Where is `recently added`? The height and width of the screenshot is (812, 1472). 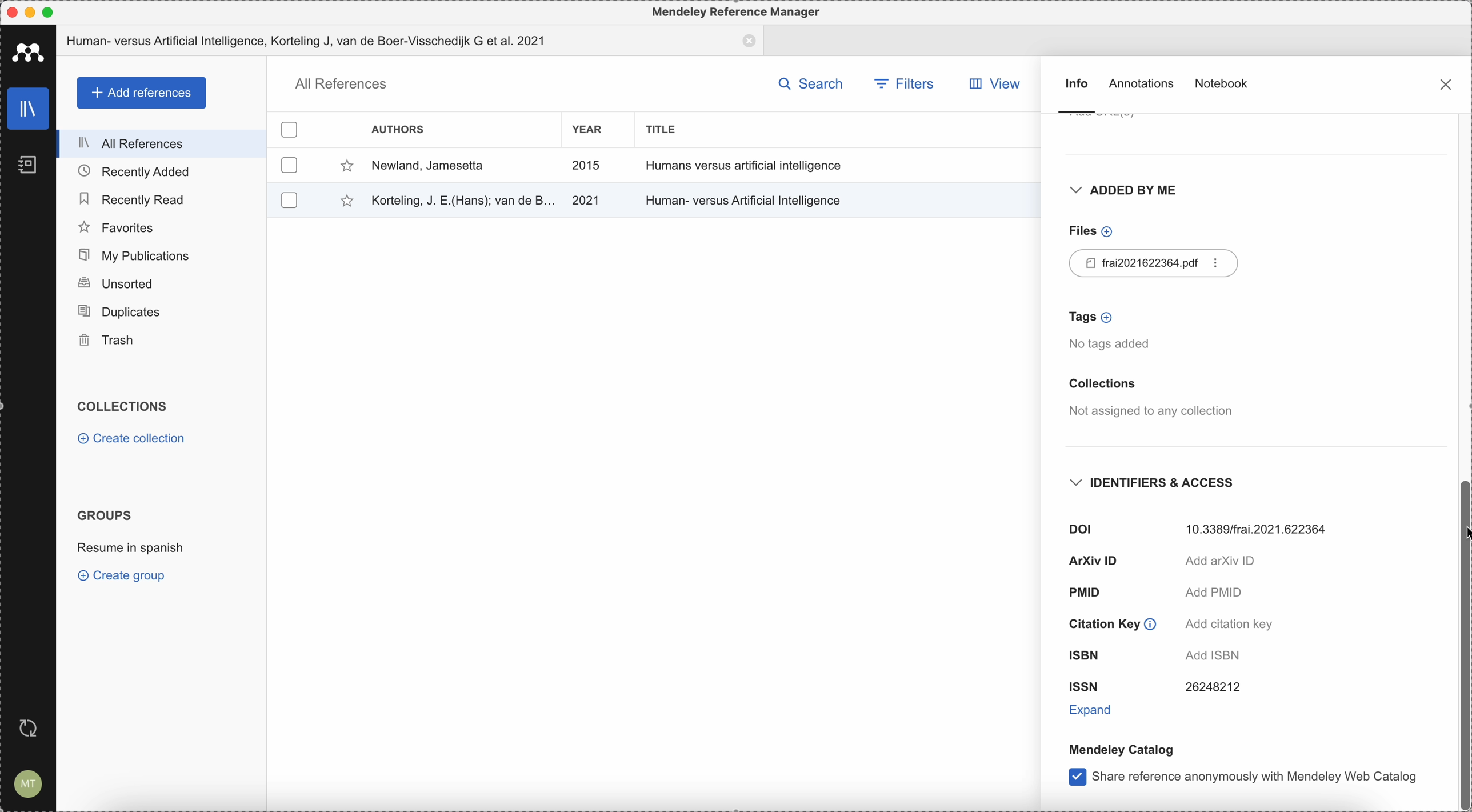 recently added is located at coordinates (161, 171).